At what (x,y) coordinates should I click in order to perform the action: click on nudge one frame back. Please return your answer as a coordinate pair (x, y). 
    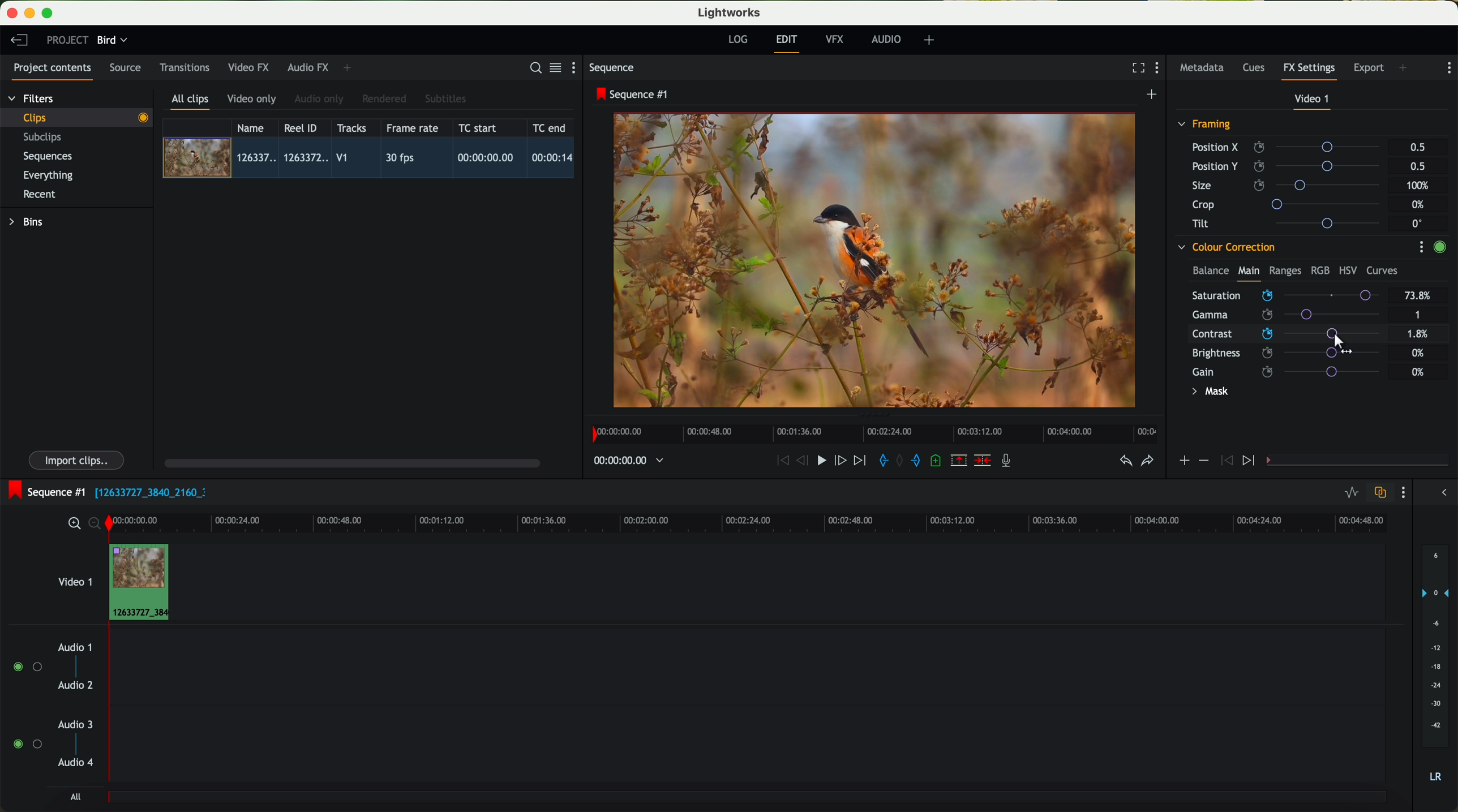
    Looking at the image, I should click on (804, 462).